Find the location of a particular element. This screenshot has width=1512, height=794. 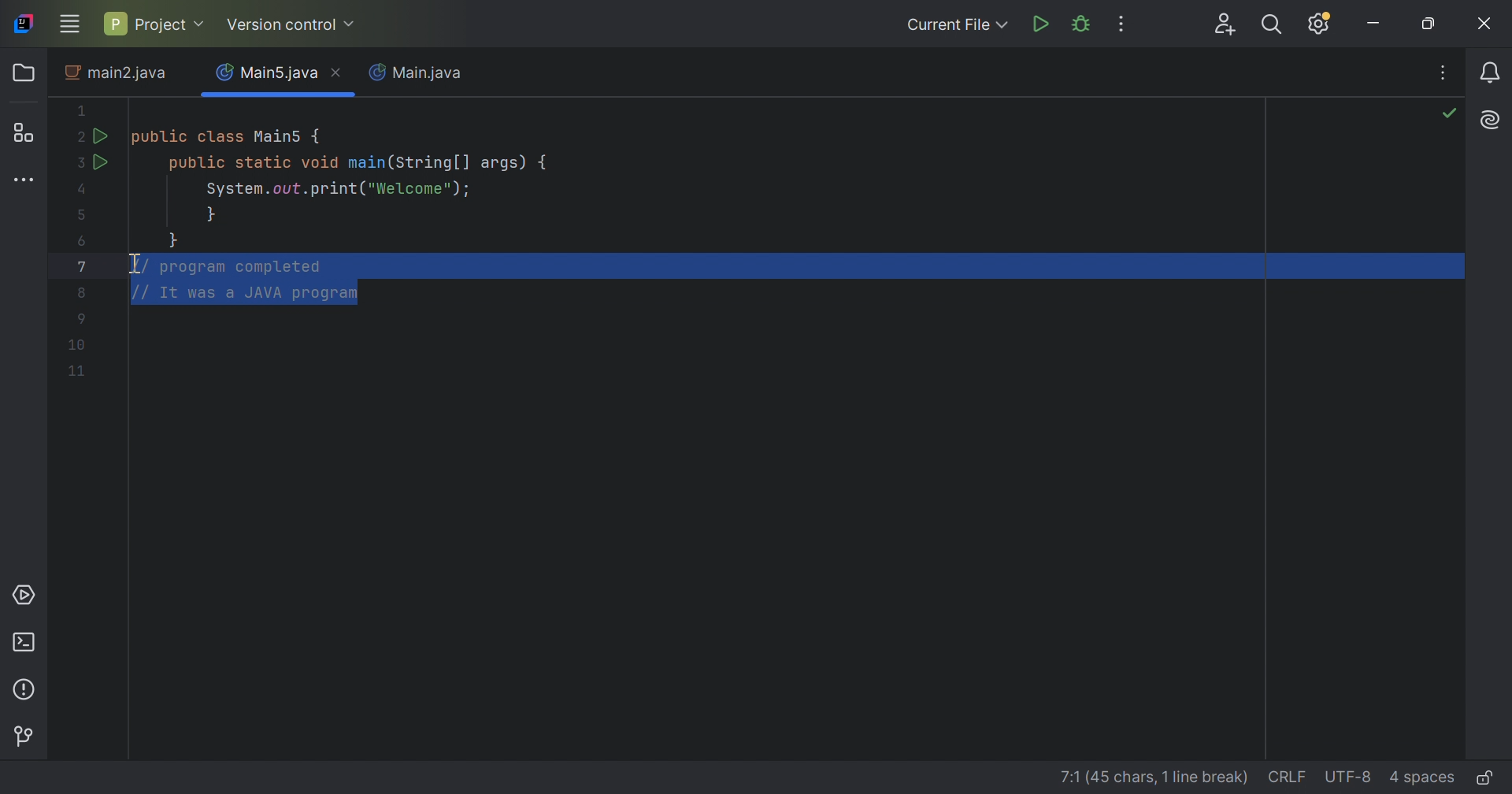

This java code defines a main class with a main method. IT prints "Welcome" to the console. is located at coordinates (312, 173).